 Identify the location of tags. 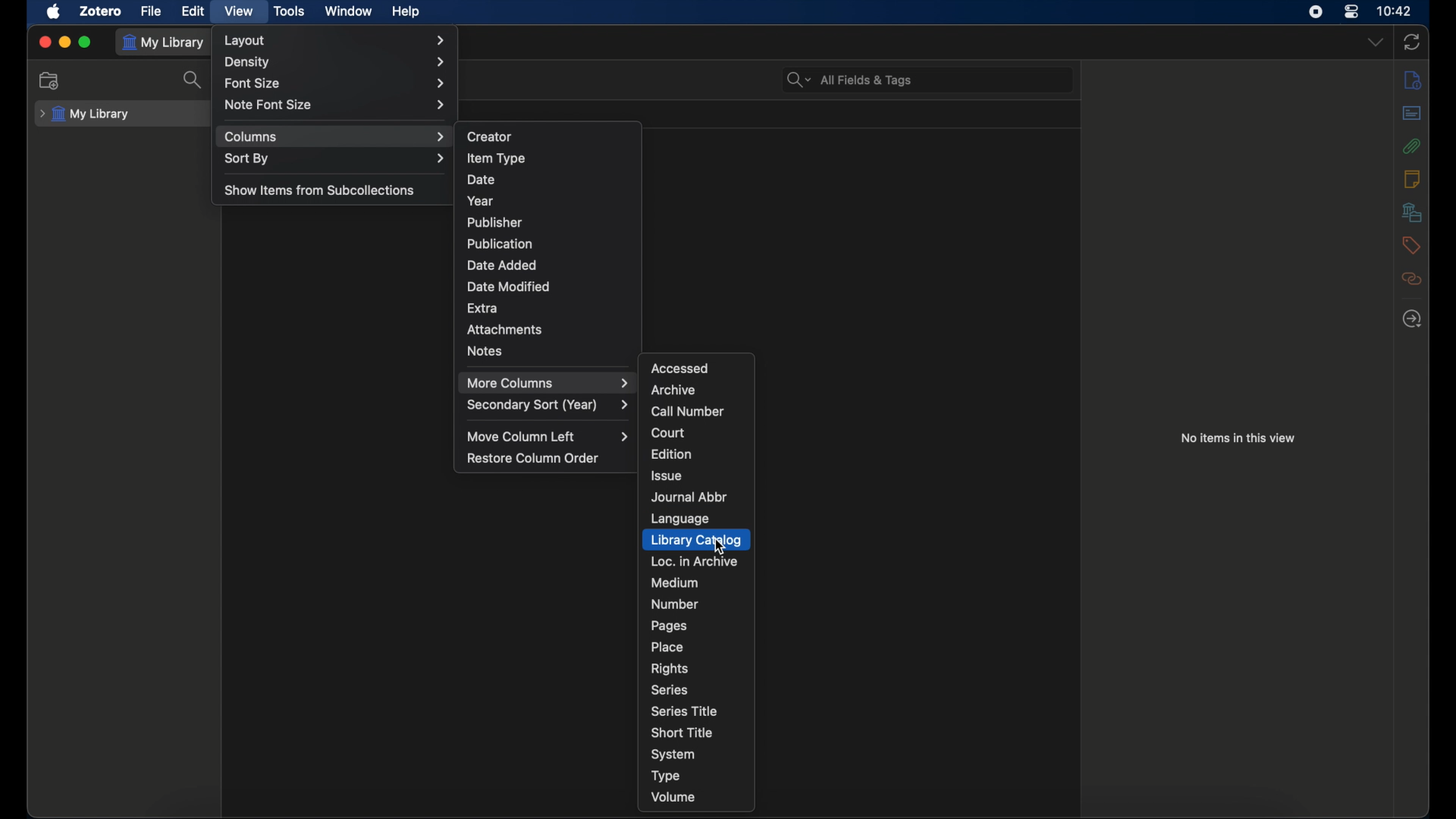
(1411, 245).